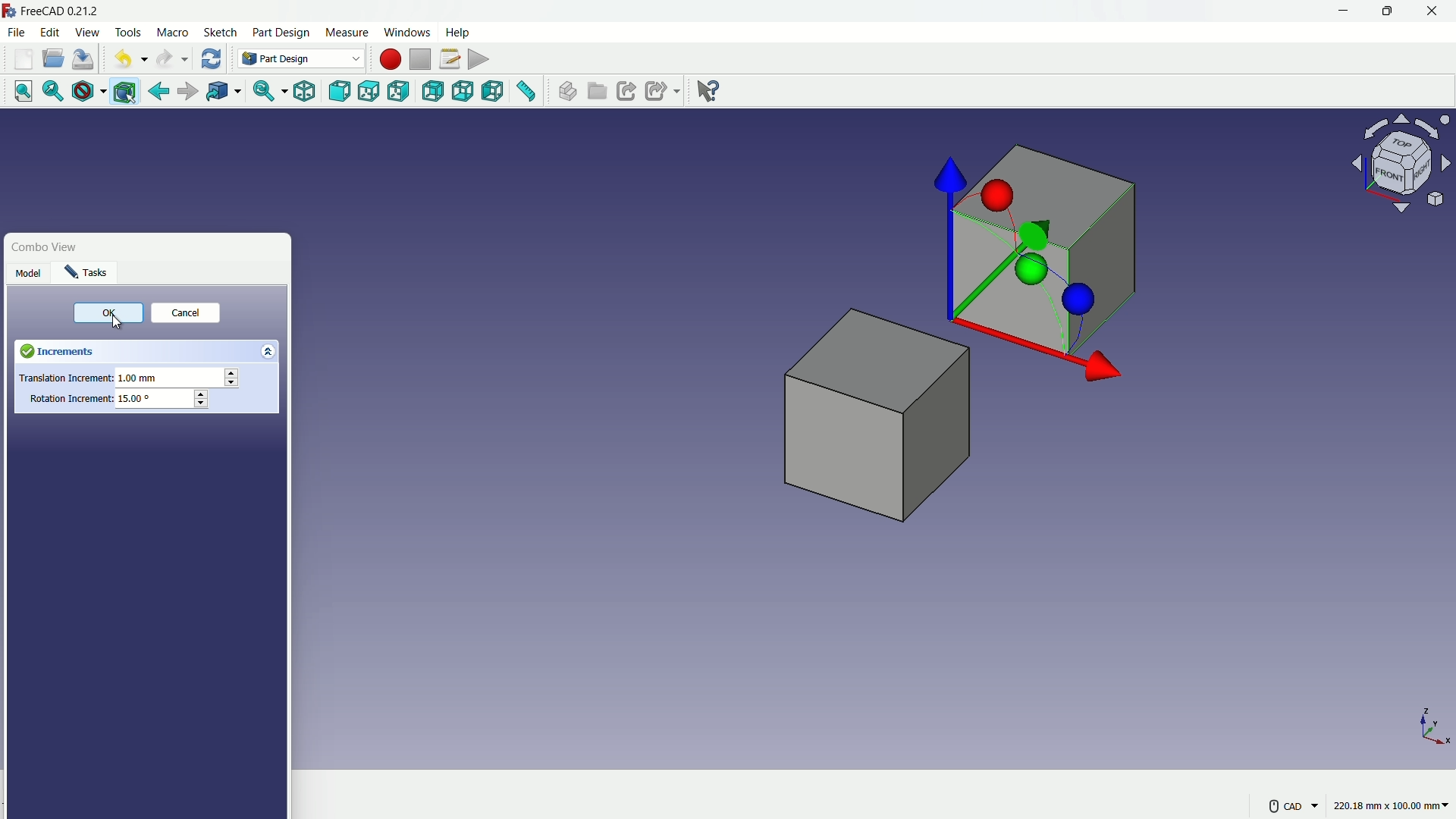 The height and width of the screenshot is (819, 1456). I want to click on start macros, so click(389, 59).